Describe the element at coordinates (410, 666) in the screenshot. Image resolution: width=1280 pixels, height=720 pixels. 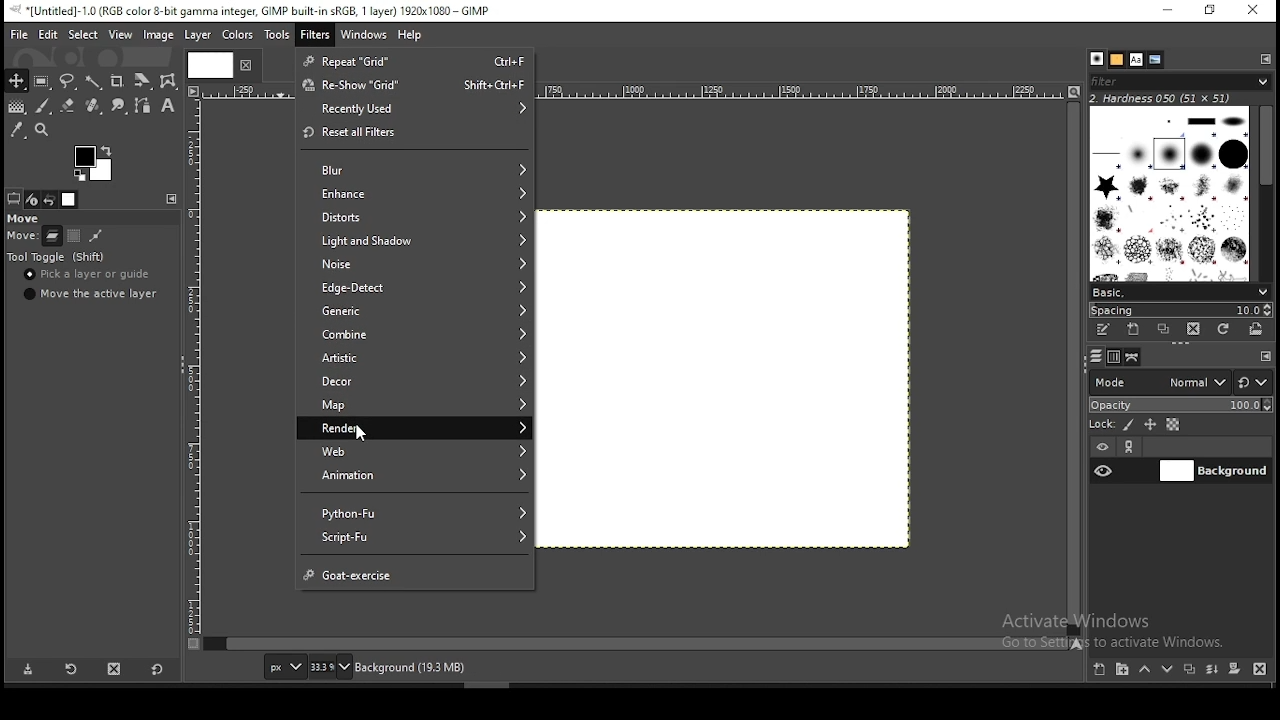
I see `background (19.3mb)` at that location.